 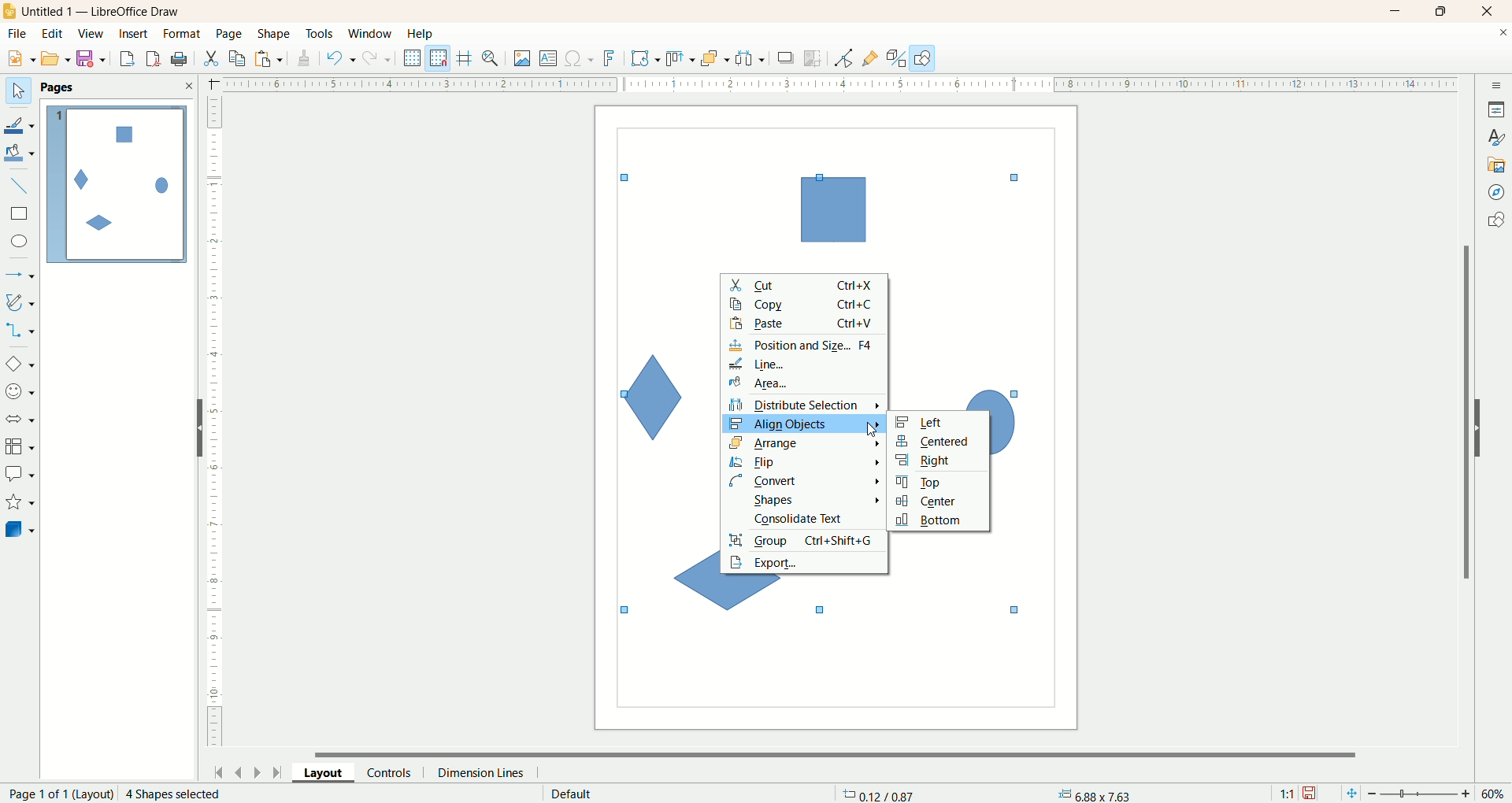 What do you see at coordinates (870, 59) in the screenshot?
I see `gluepoint function` at bounding box center [870, 59].